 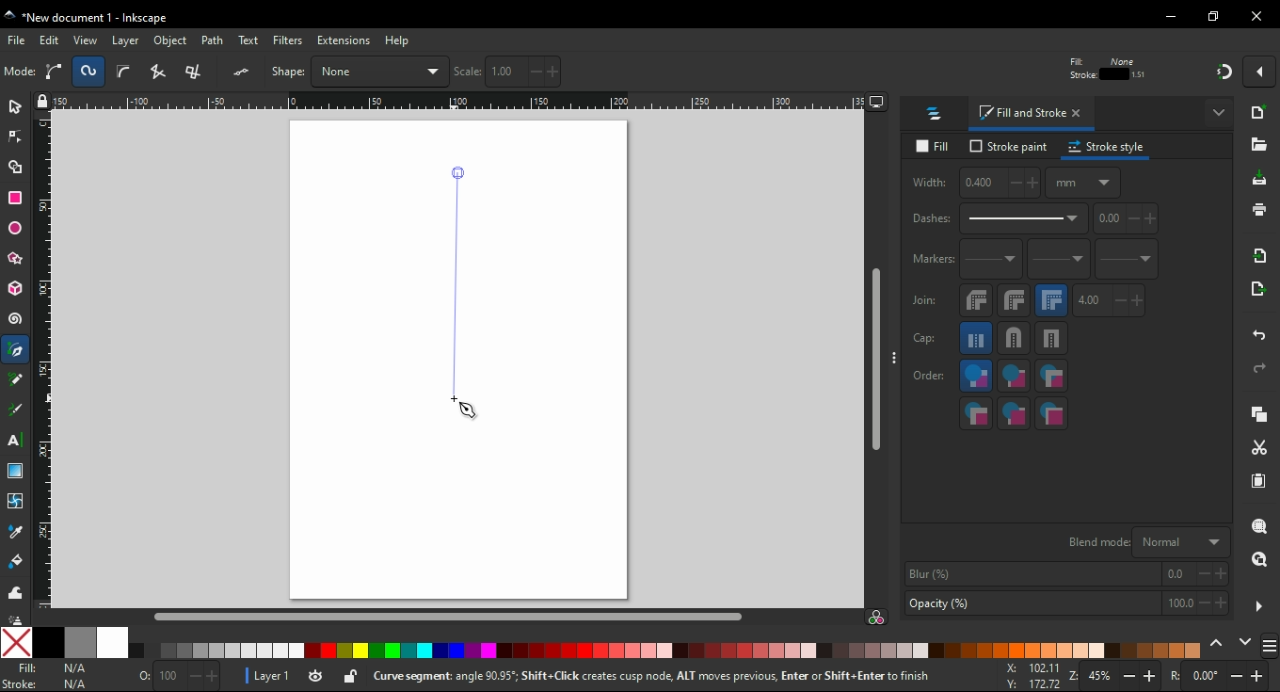 What do you see at coordinates (452, 615) in the screenshot?
I see `scroll bar` at bounding box center [452, 615].